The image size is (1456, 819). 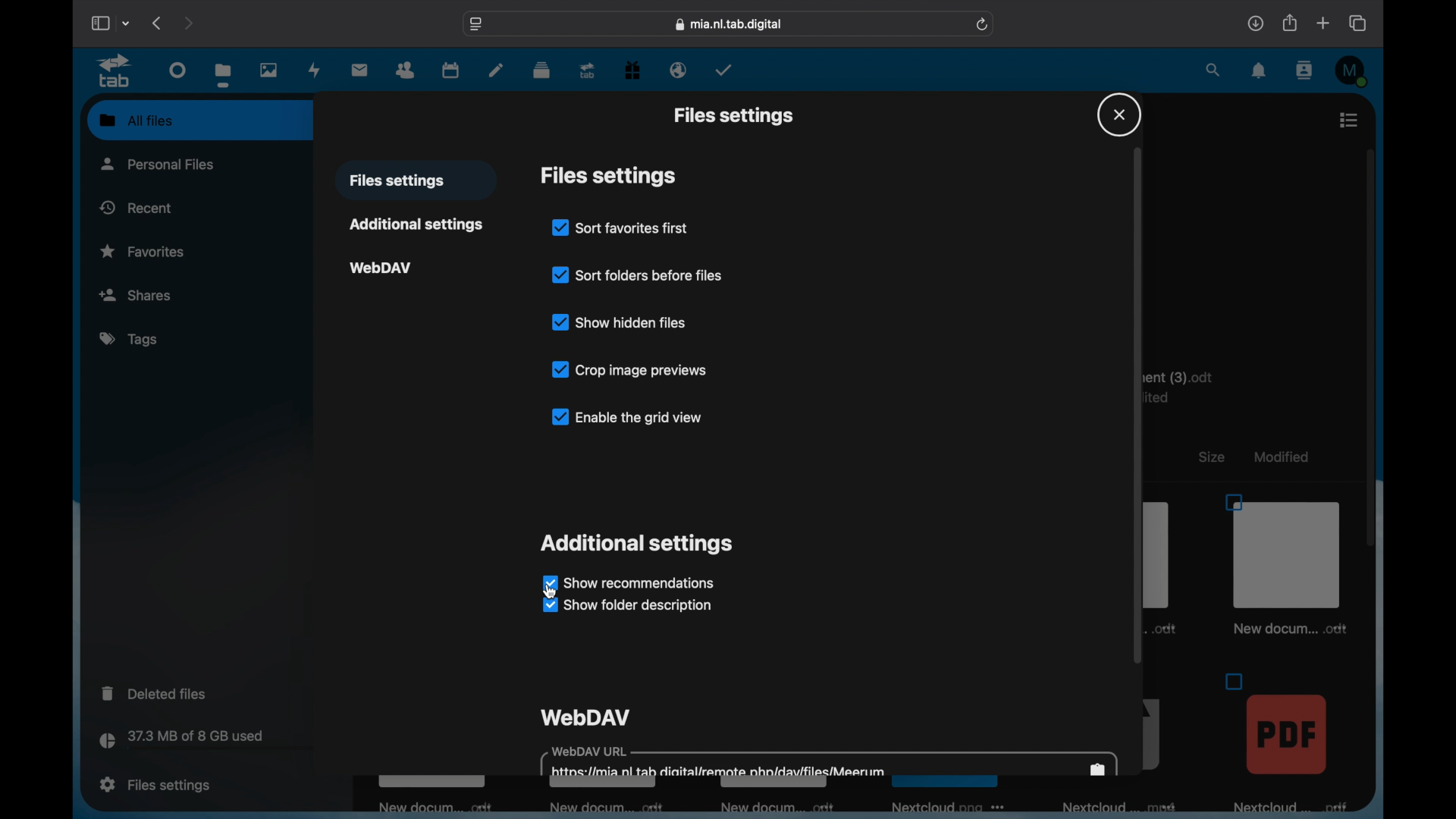 What do you see at coordinates (618, 320) in the screenshot?
I see `show hidden files` at bounding box center [618, 320].